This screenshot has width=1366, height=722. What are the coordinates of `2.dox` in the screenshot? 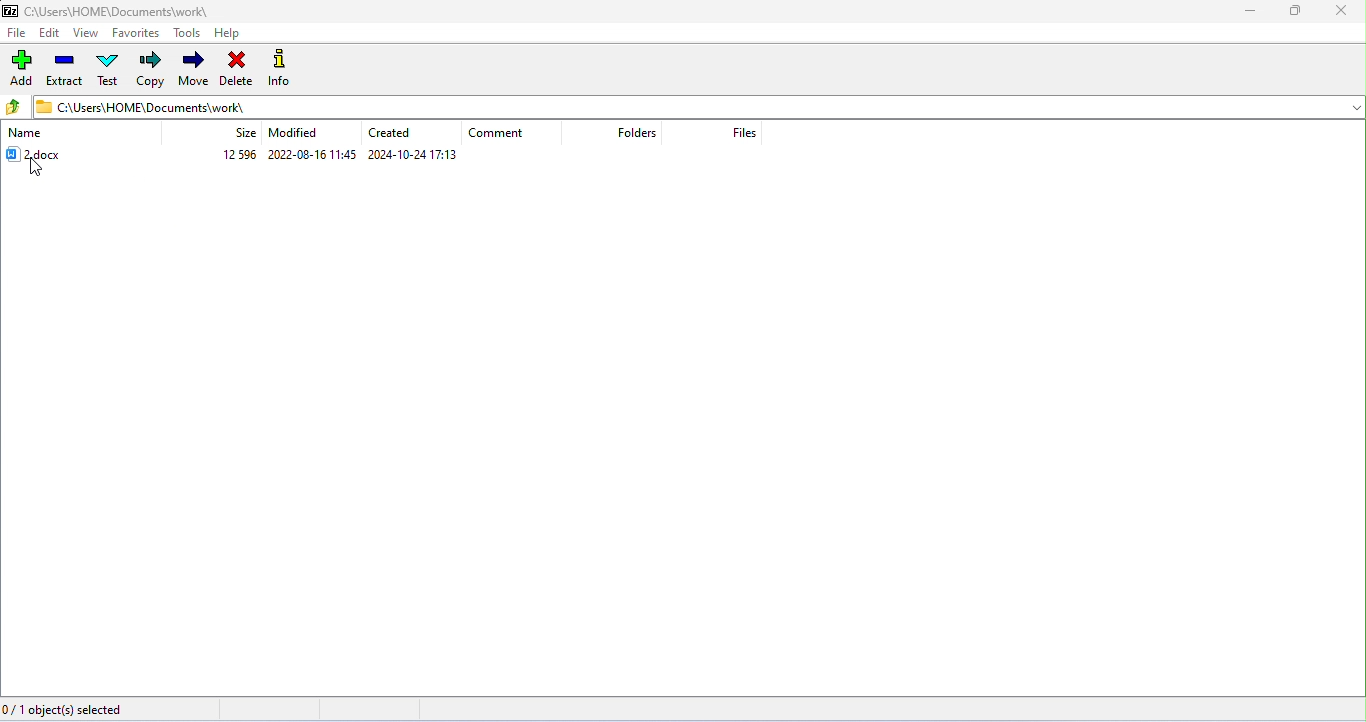 It's located at (44, 154).